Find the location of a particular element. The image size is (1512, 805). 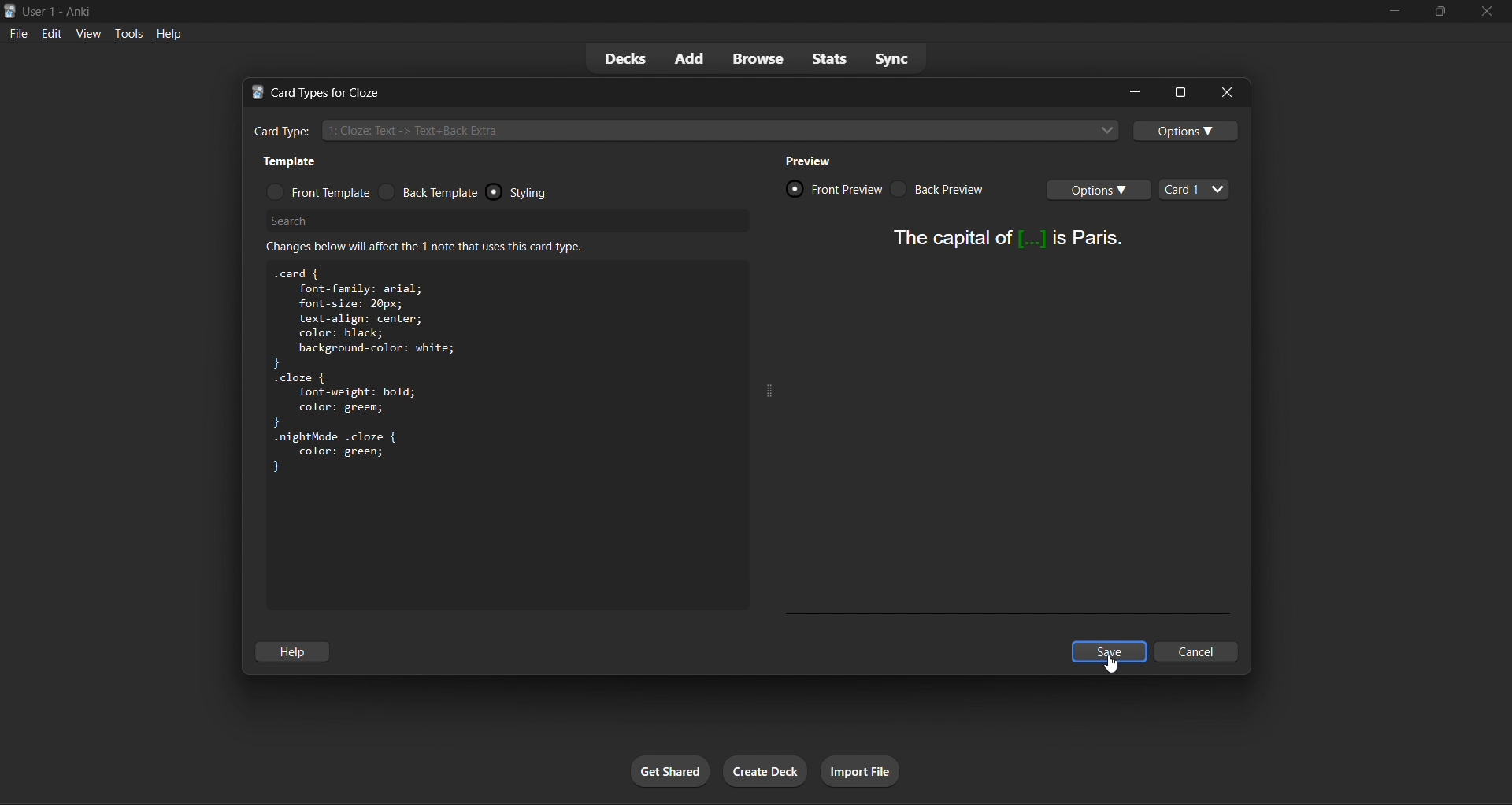

front template radio button is located at coordinates (317, 191).